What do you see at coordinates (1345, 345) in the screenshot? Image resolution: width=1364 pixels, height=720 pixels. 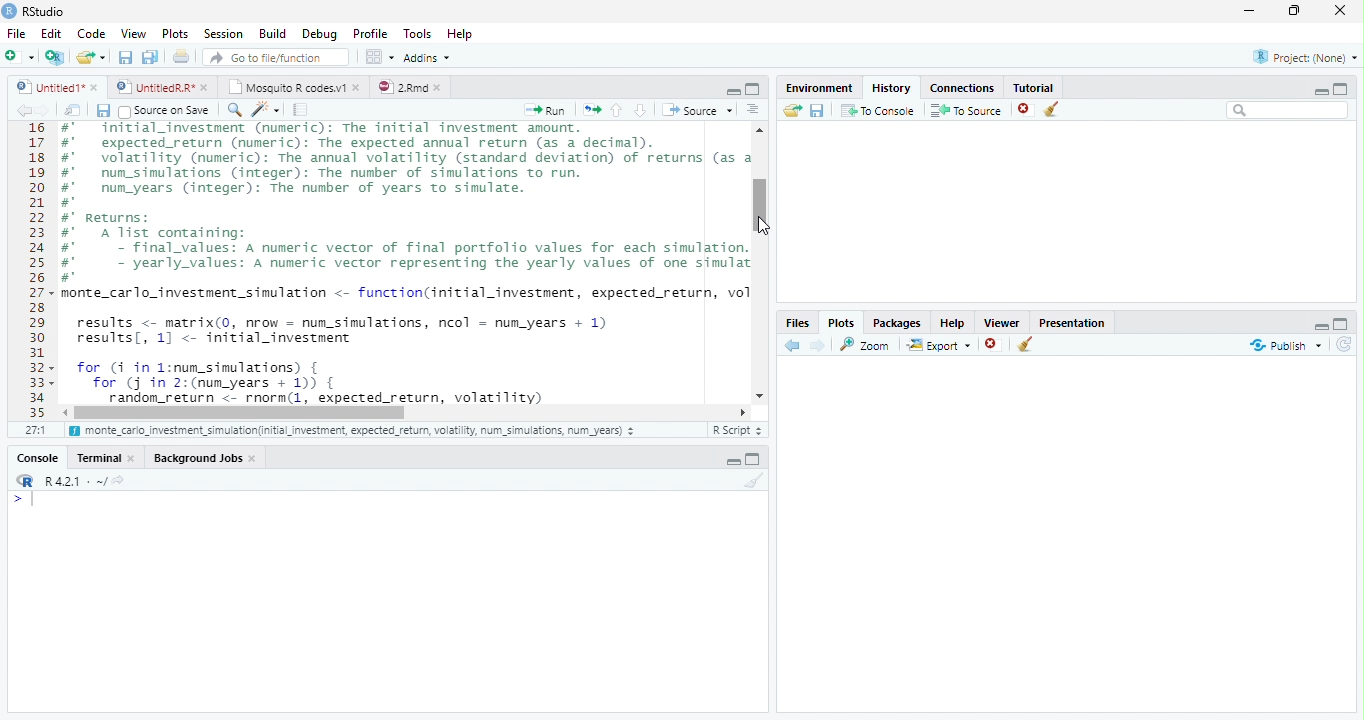 I see `Refresh List` at bounding box center [1345, 345].